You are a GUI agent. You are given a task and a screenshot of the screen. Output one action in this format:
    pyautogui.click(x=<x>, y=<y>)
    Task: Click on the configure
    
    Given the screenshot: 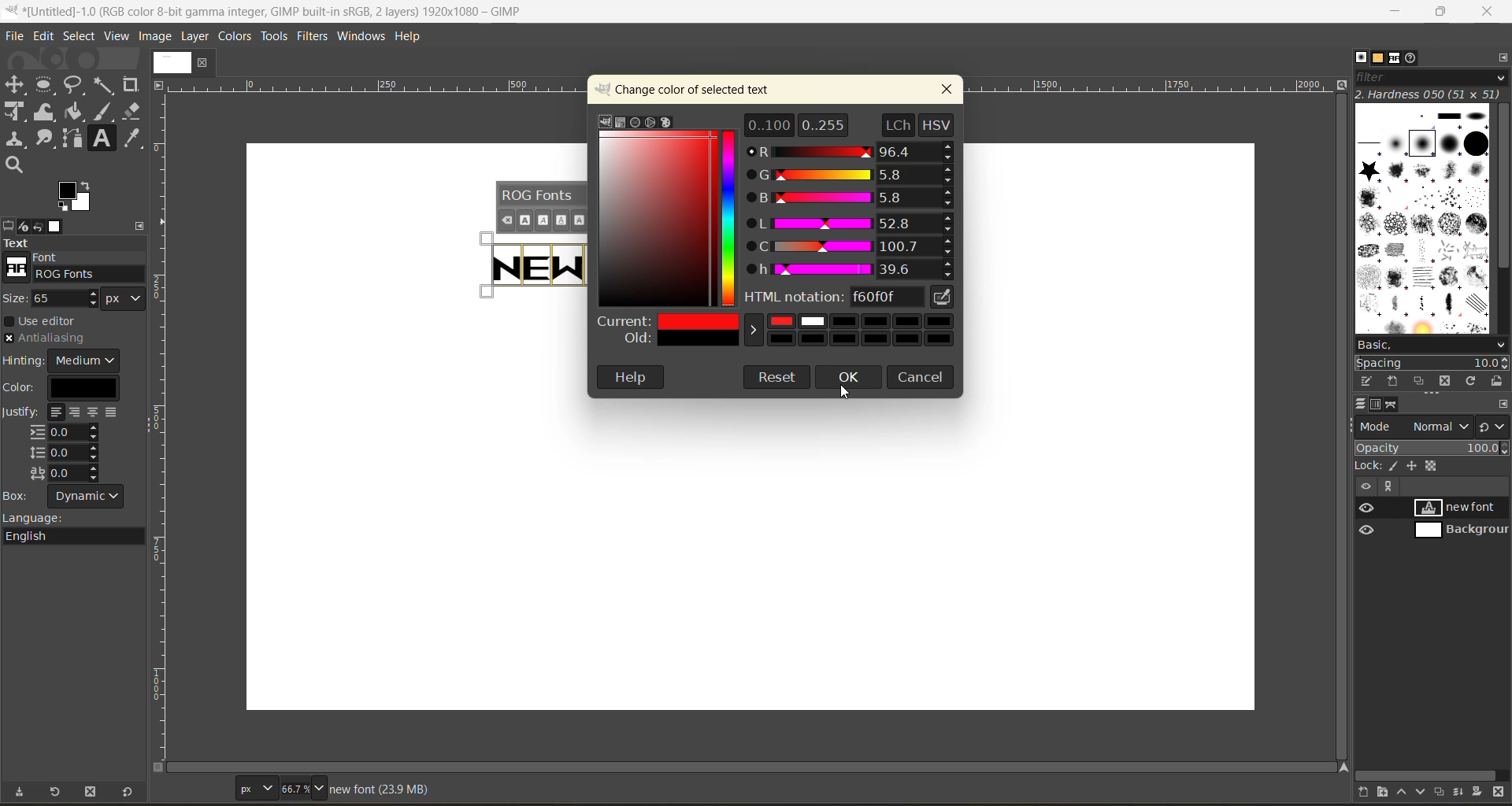 What is the action you would take?
    pyautogui.click(x=1503, y=60)
    